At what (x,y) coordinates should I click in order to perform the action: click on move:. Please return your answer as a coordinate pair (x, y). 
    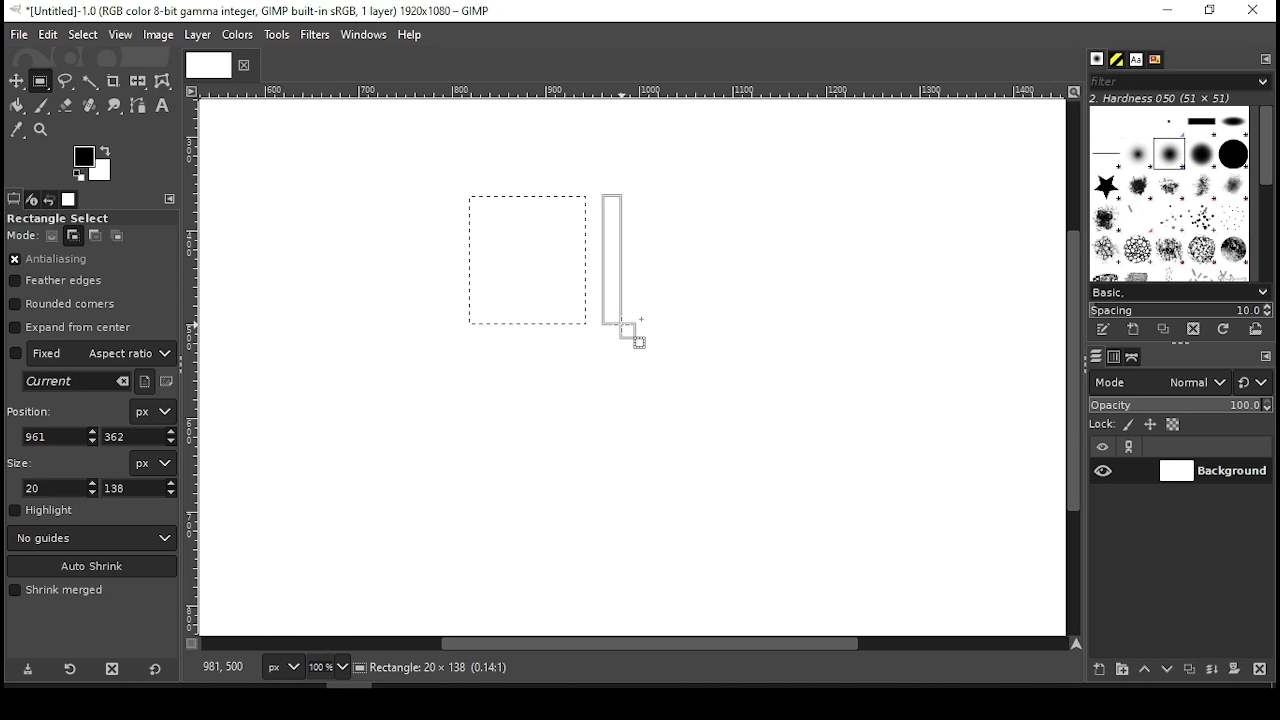
    Looking at the image, I should click on (22, 235).